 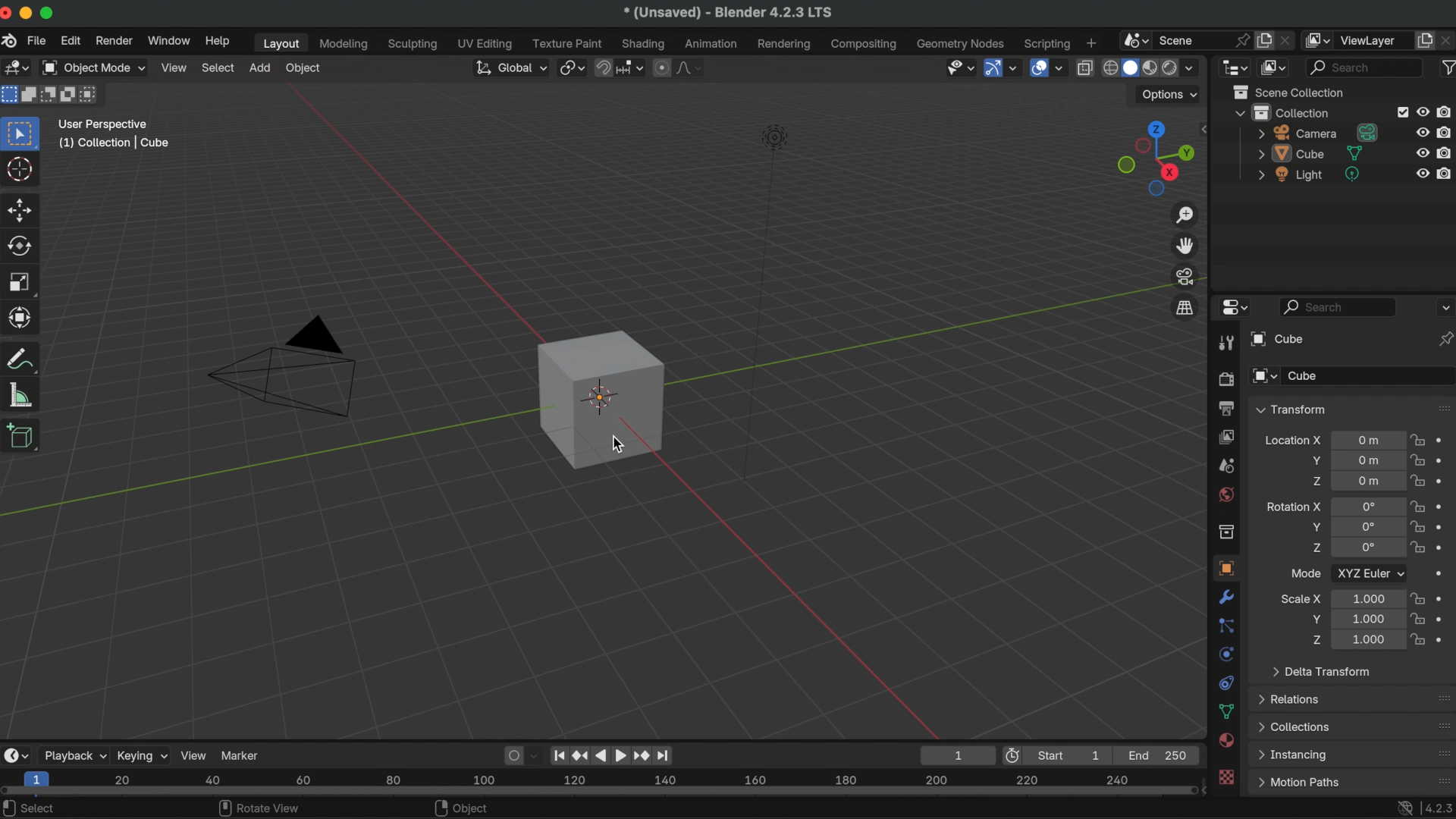 What do you see at coordinates (617, 444) in the screenshot?
I see `cursor` at bounding box center [617, 444].